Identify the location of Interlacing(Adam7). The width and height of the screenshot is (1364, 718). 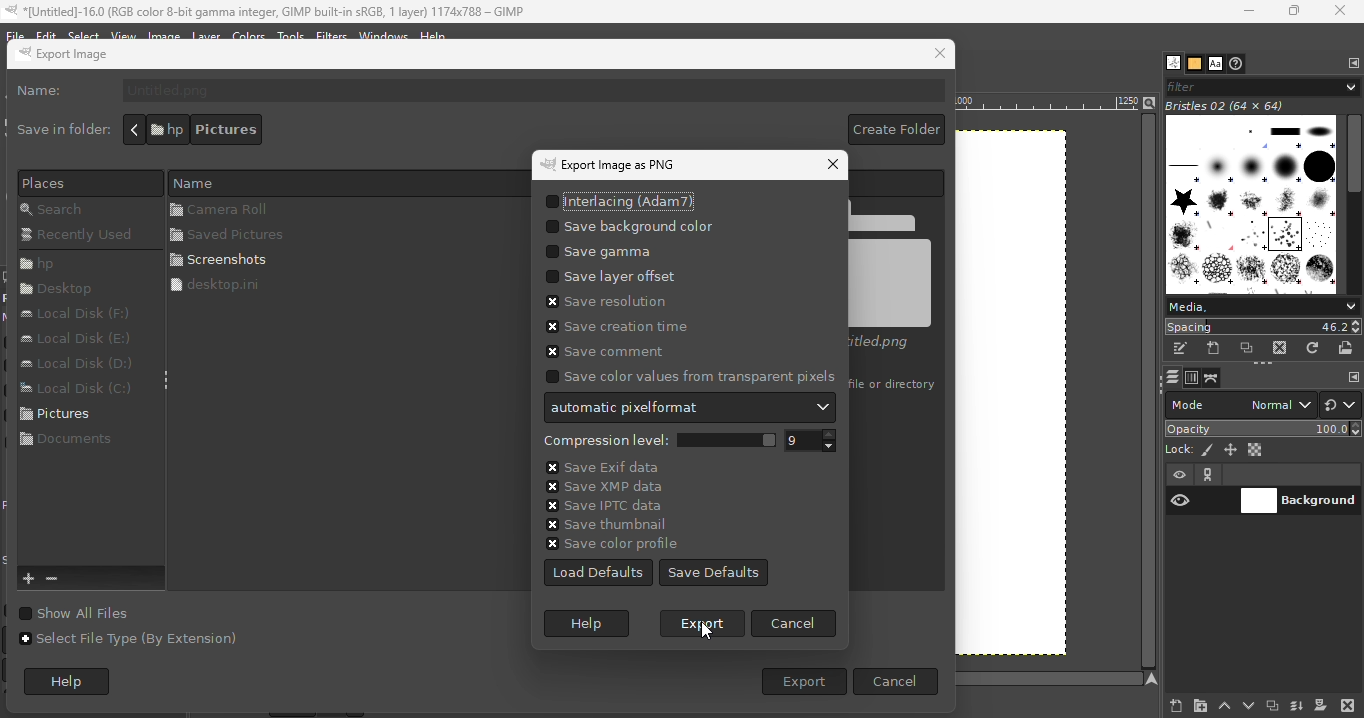
(622, 198).